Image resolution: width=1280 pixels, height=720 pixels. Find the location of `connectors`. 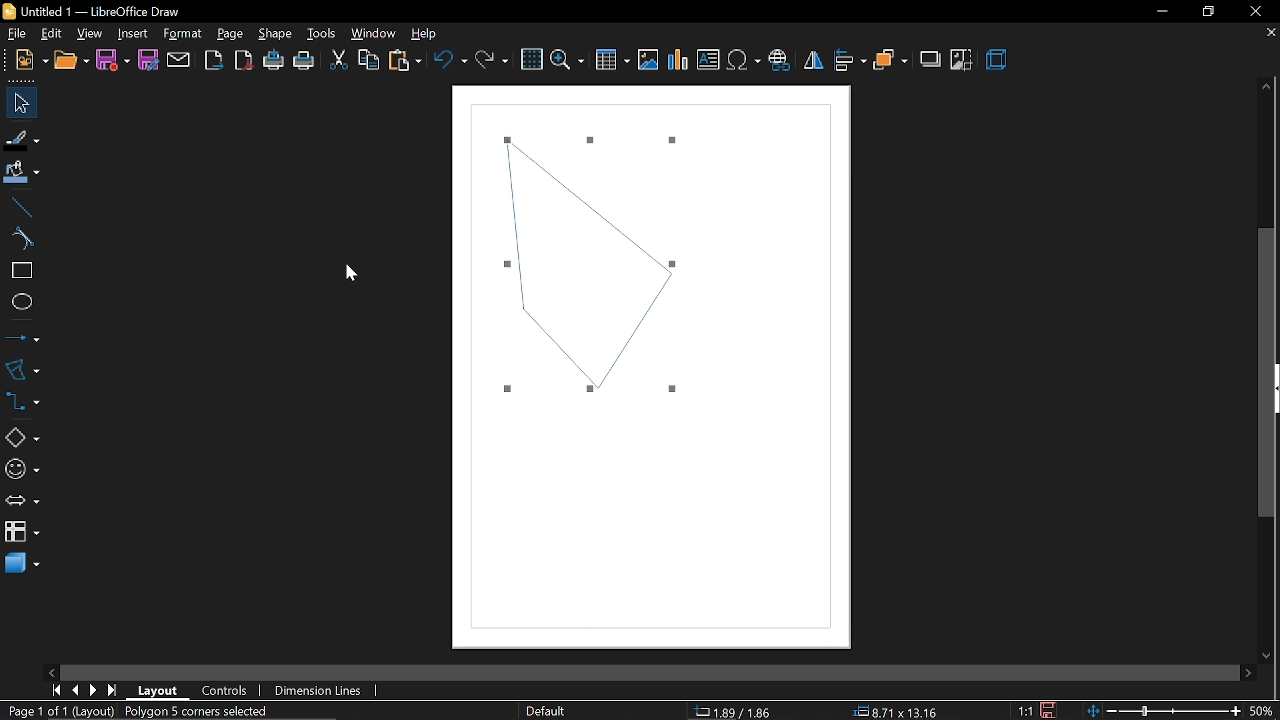

connectors is located at coordinates (23, 407).